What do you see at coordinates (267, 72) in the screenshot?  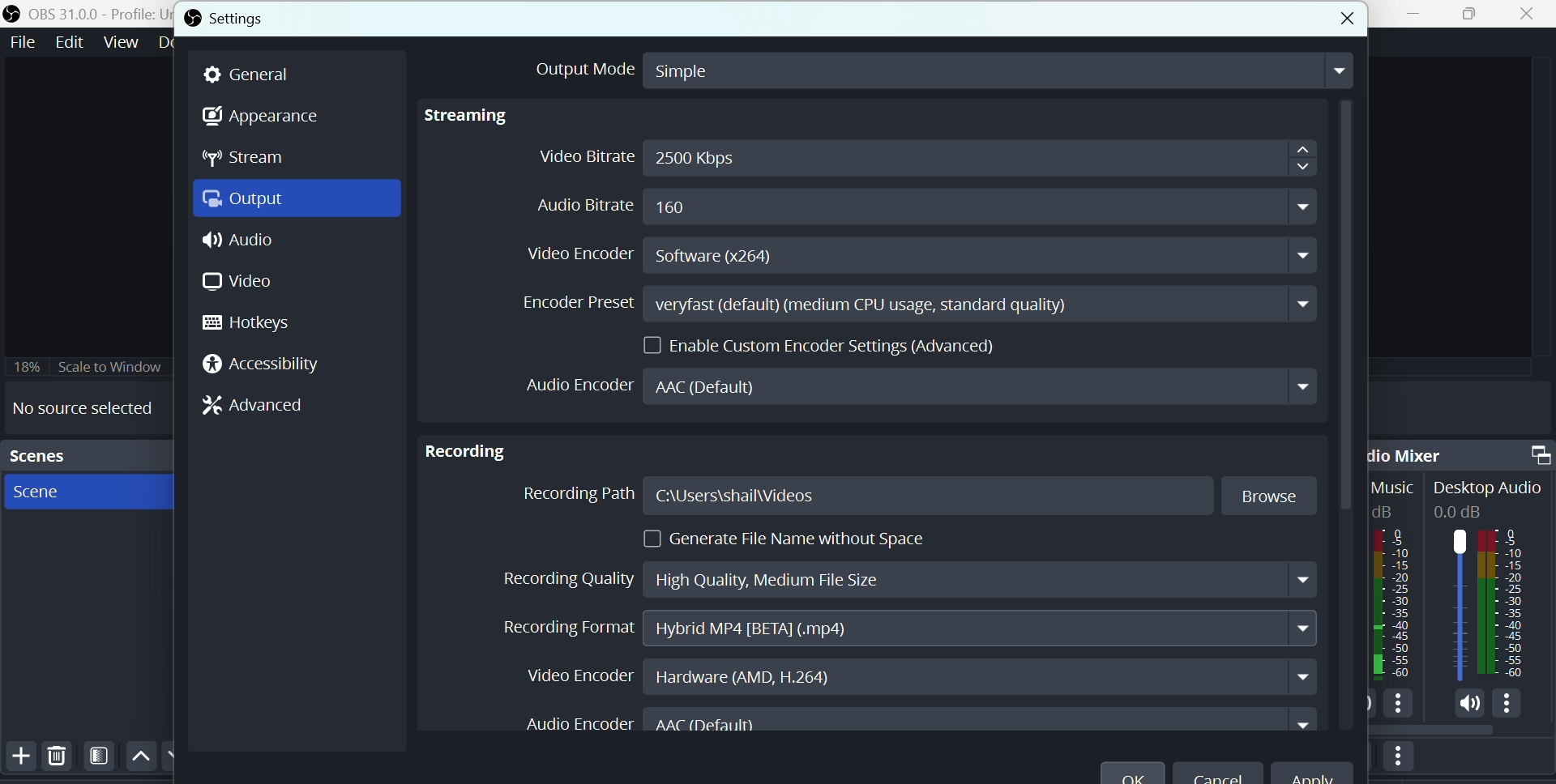 I see `general` at bounding box center [267, 72].